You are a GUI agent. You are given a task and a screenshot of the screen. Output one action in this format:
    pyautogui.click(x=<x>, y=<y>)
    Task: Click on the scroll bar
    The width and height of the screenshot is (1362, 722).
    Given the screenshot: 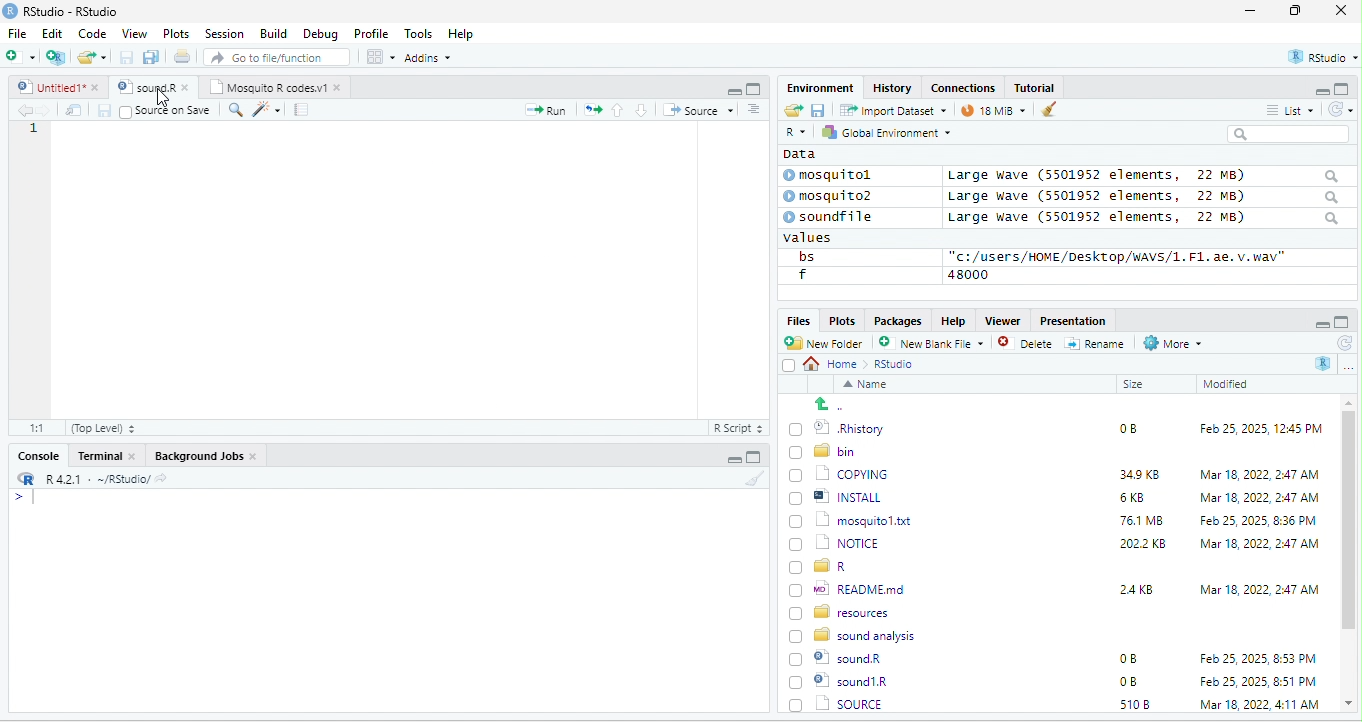 What is the action you would take?
    pyautogui.click(x=759, y=267)
    